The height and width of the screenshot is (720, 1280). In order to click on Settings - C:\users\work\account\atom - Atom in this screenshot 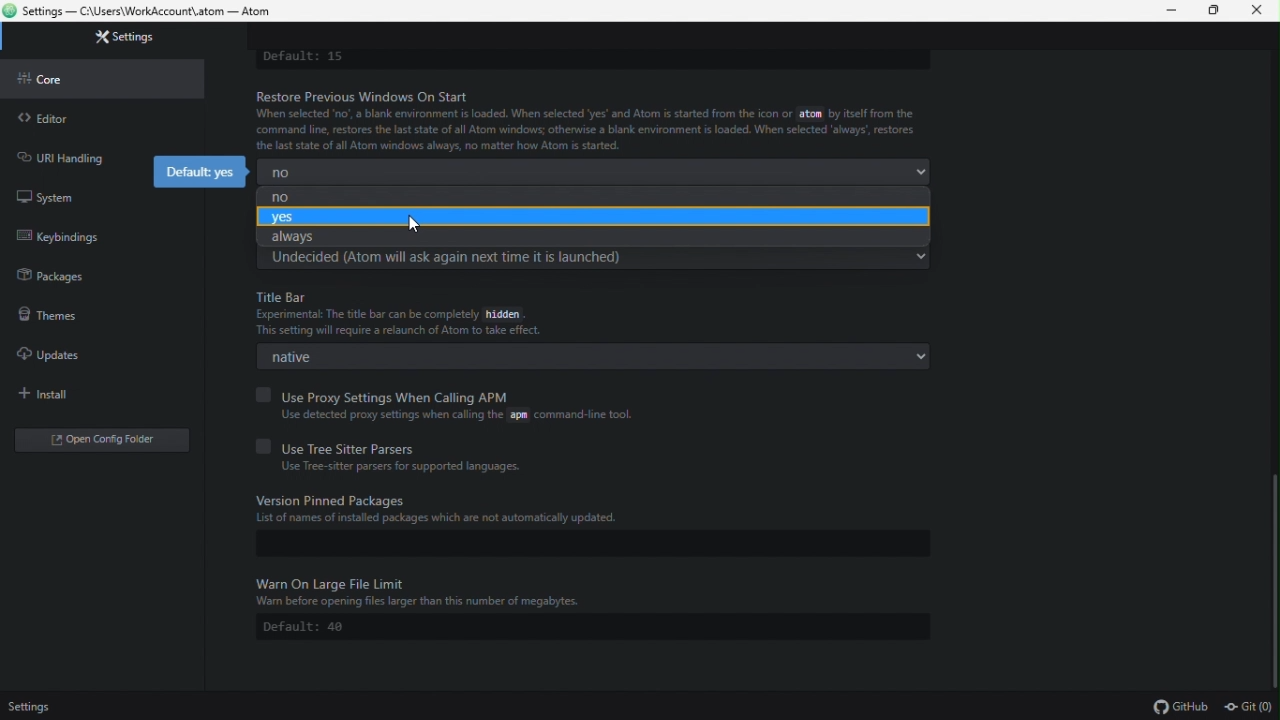, I will do `click(159, 12)`.